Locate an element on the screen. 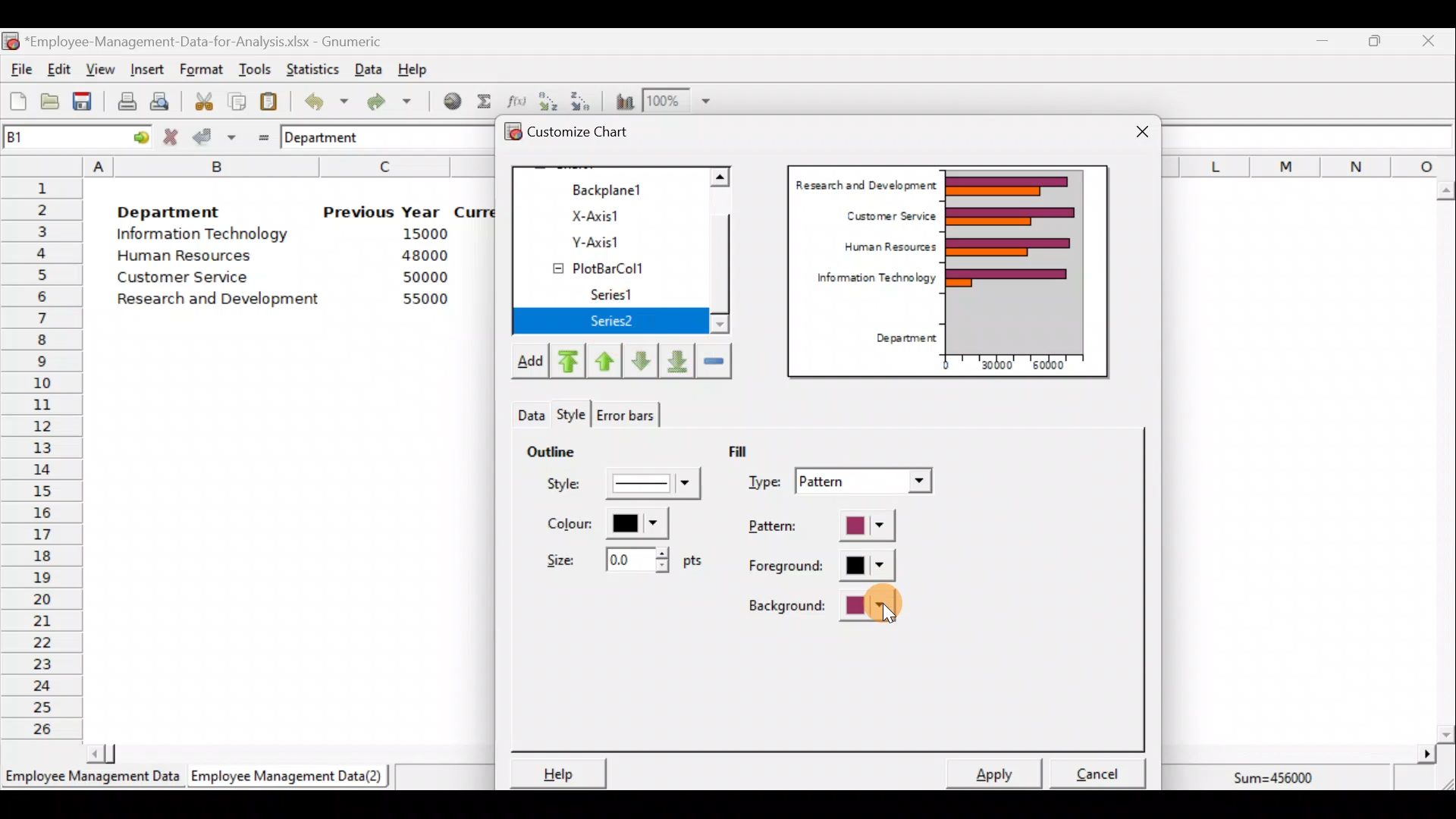 The height and width of the screenshot is (819, 1456). Information Technology is located at coordinates (205, 234).